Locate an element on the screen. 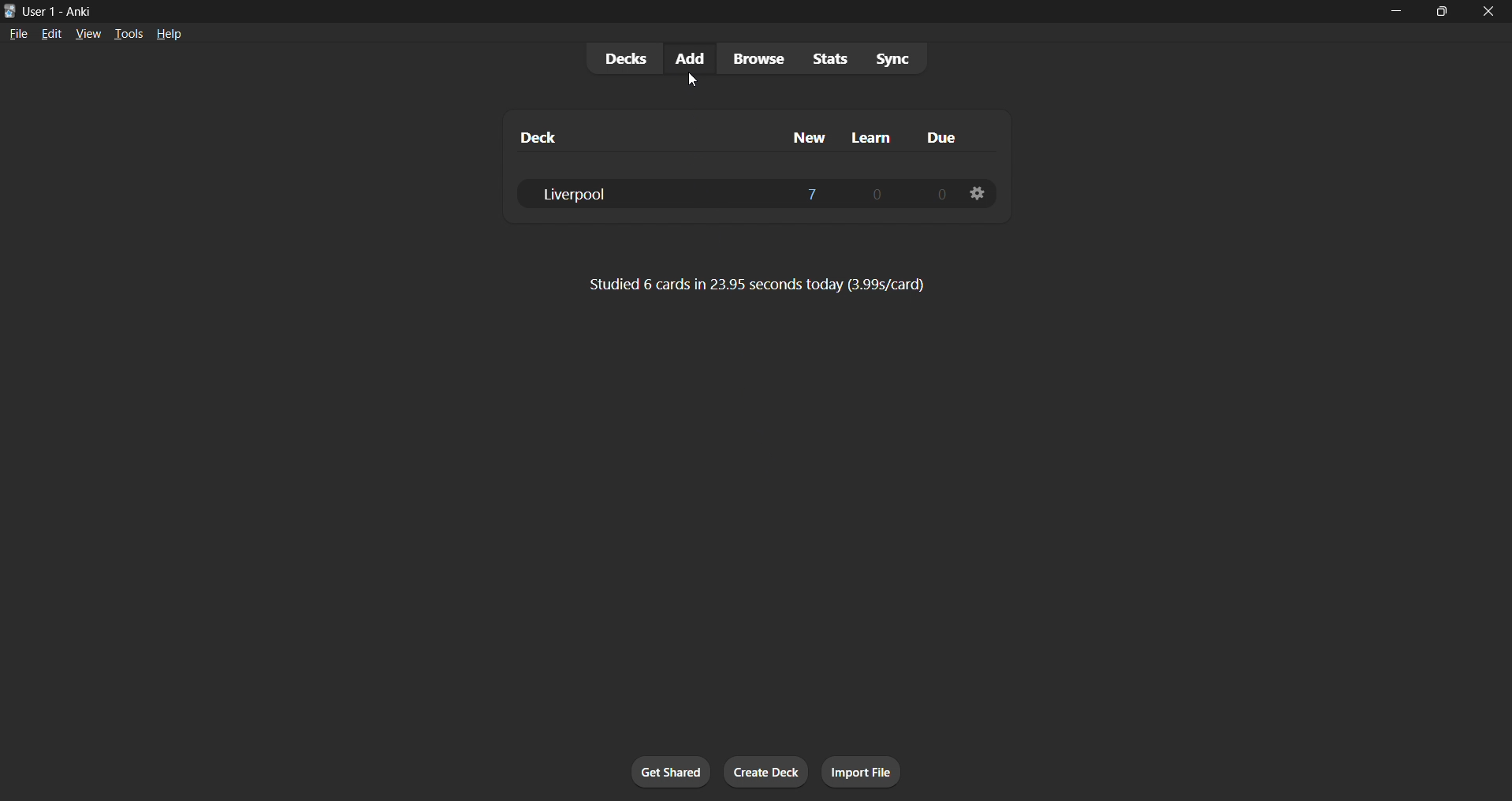  liverpool deck data is located at coordinates (739, 192).